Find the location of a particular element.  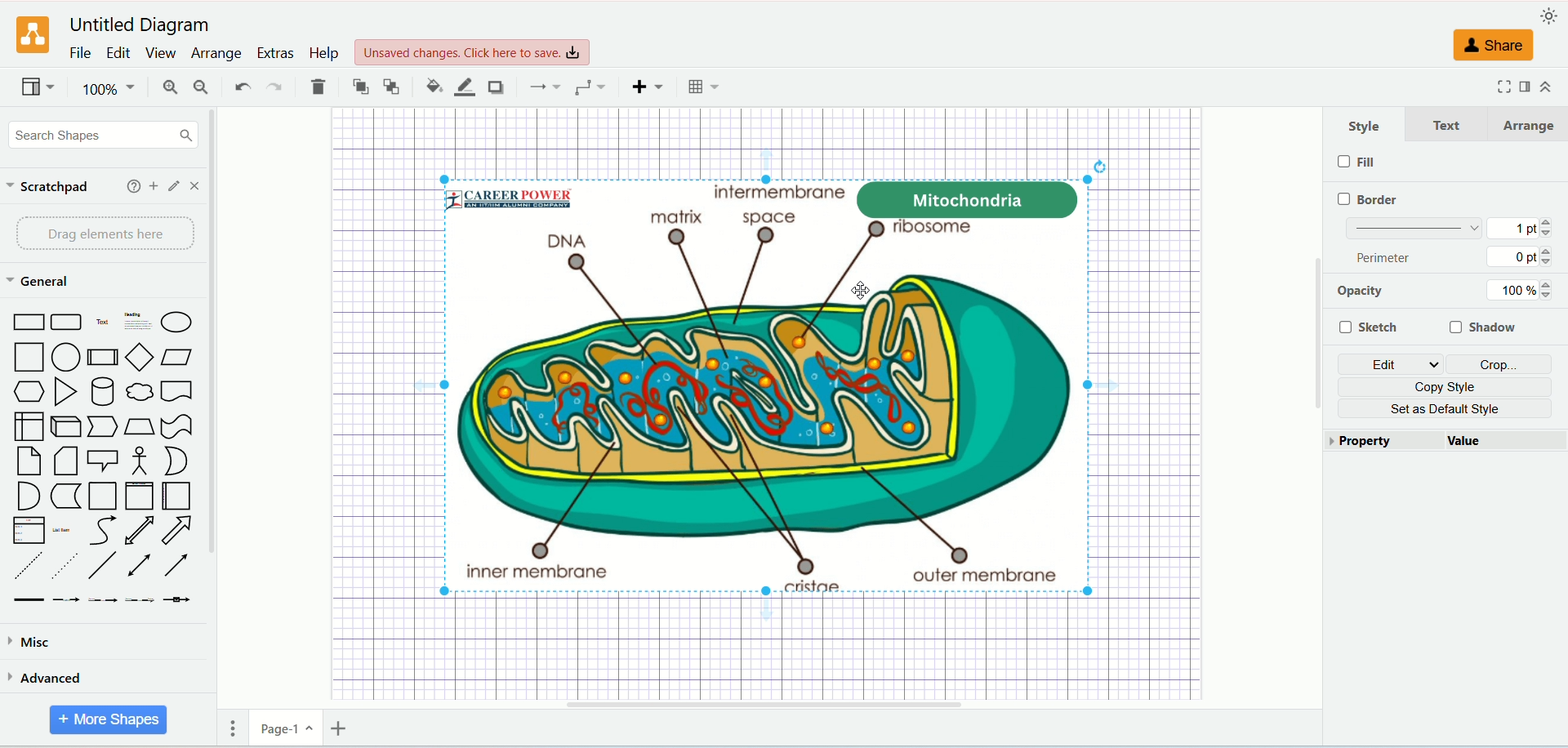

Ellipse is located at coordinates (177, 323).